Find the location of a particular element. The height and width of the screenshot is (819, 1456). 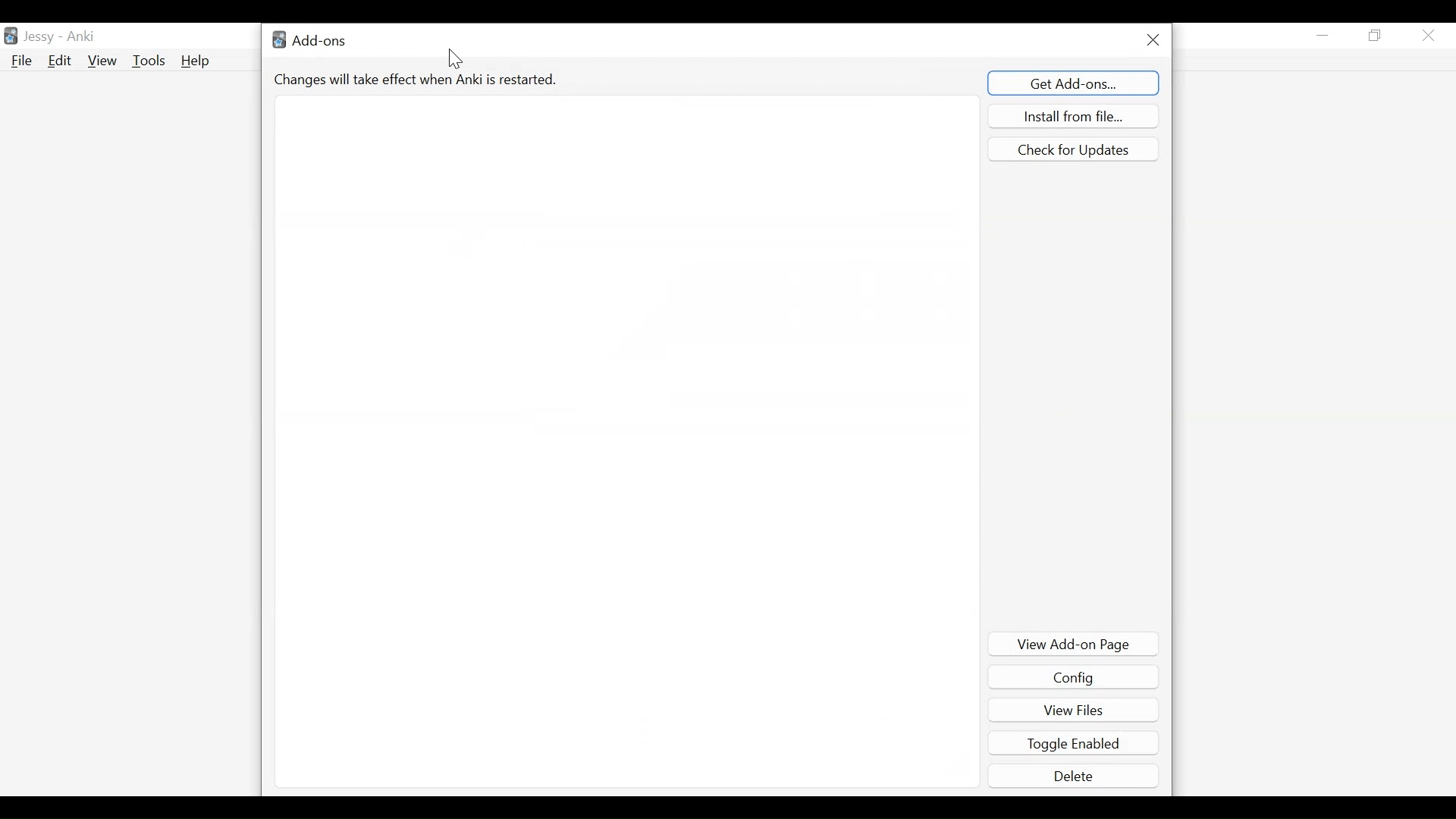

Close is located at coordinates (1152, 39).